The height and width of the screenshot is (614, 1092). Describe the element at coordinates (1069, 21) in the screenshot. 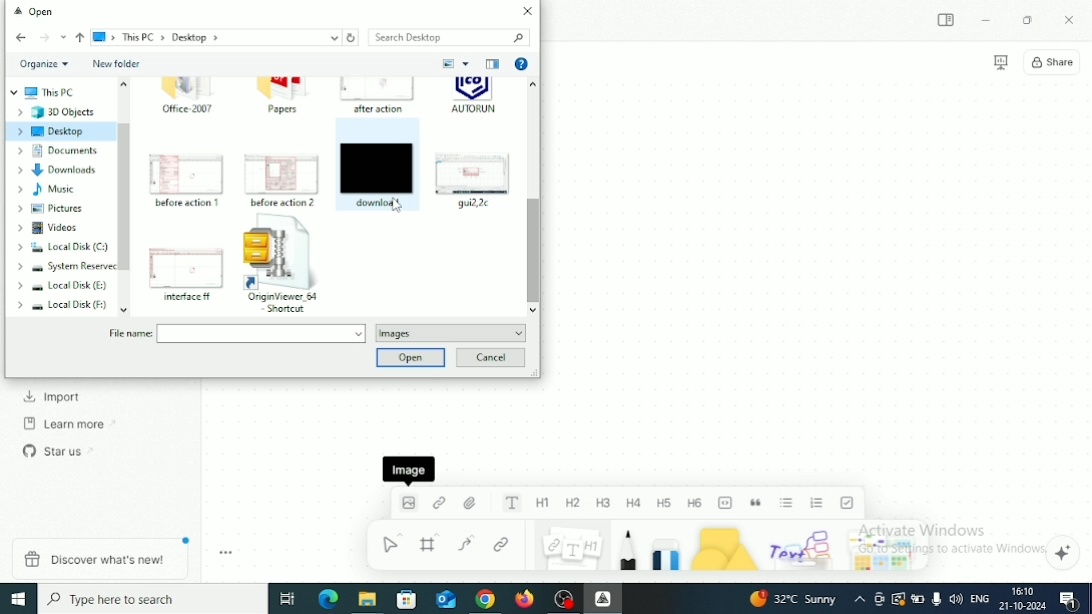

I see `Close` at that location.